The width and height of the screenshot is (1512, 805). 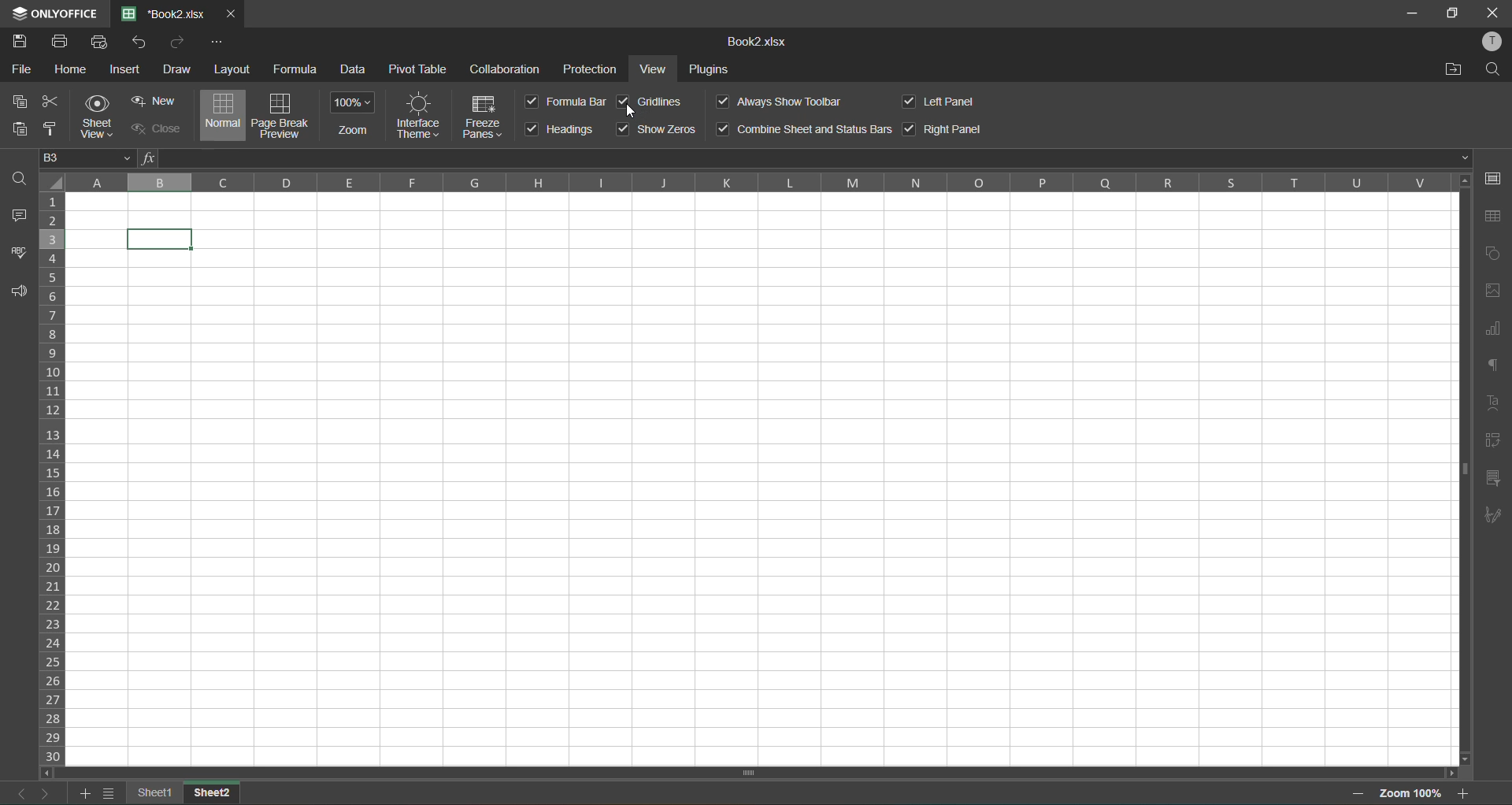 I want to click on formula bar, so click(x=565, y=102).